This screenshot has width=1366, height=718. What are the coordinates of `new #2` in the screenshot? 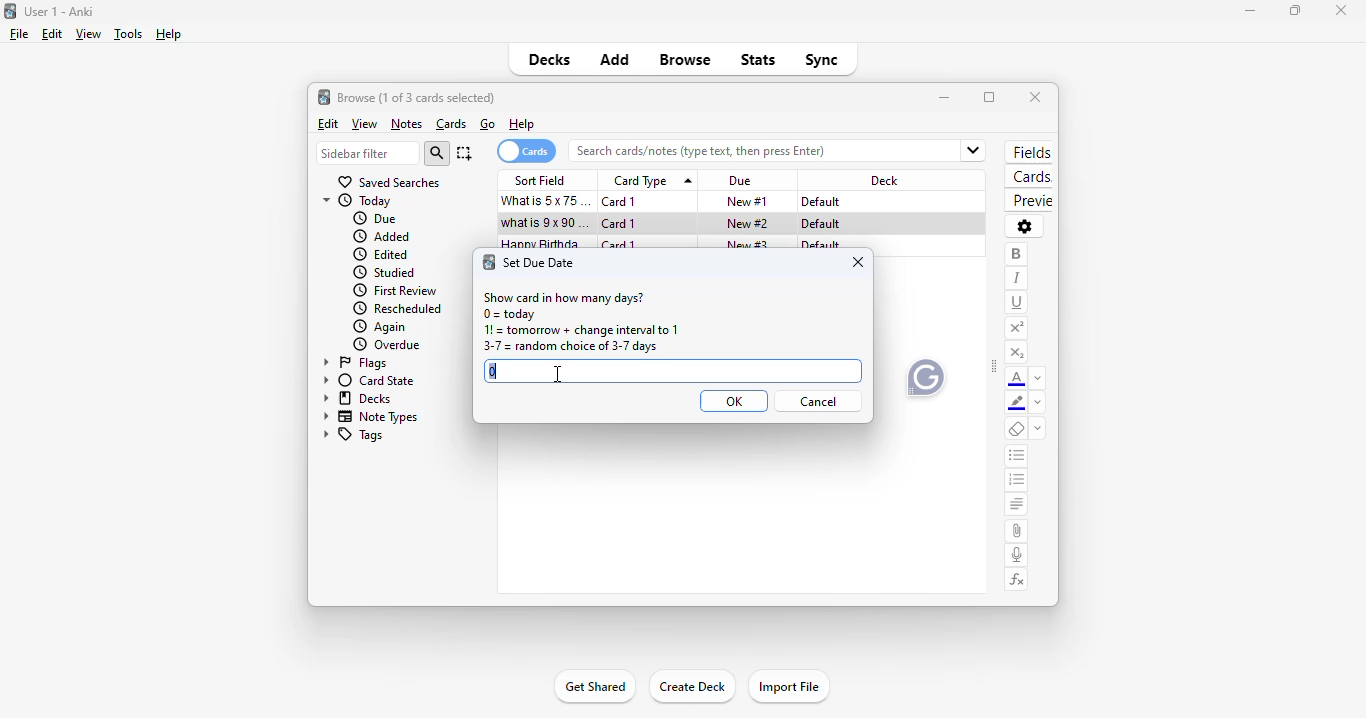 It's located at (750, 223).